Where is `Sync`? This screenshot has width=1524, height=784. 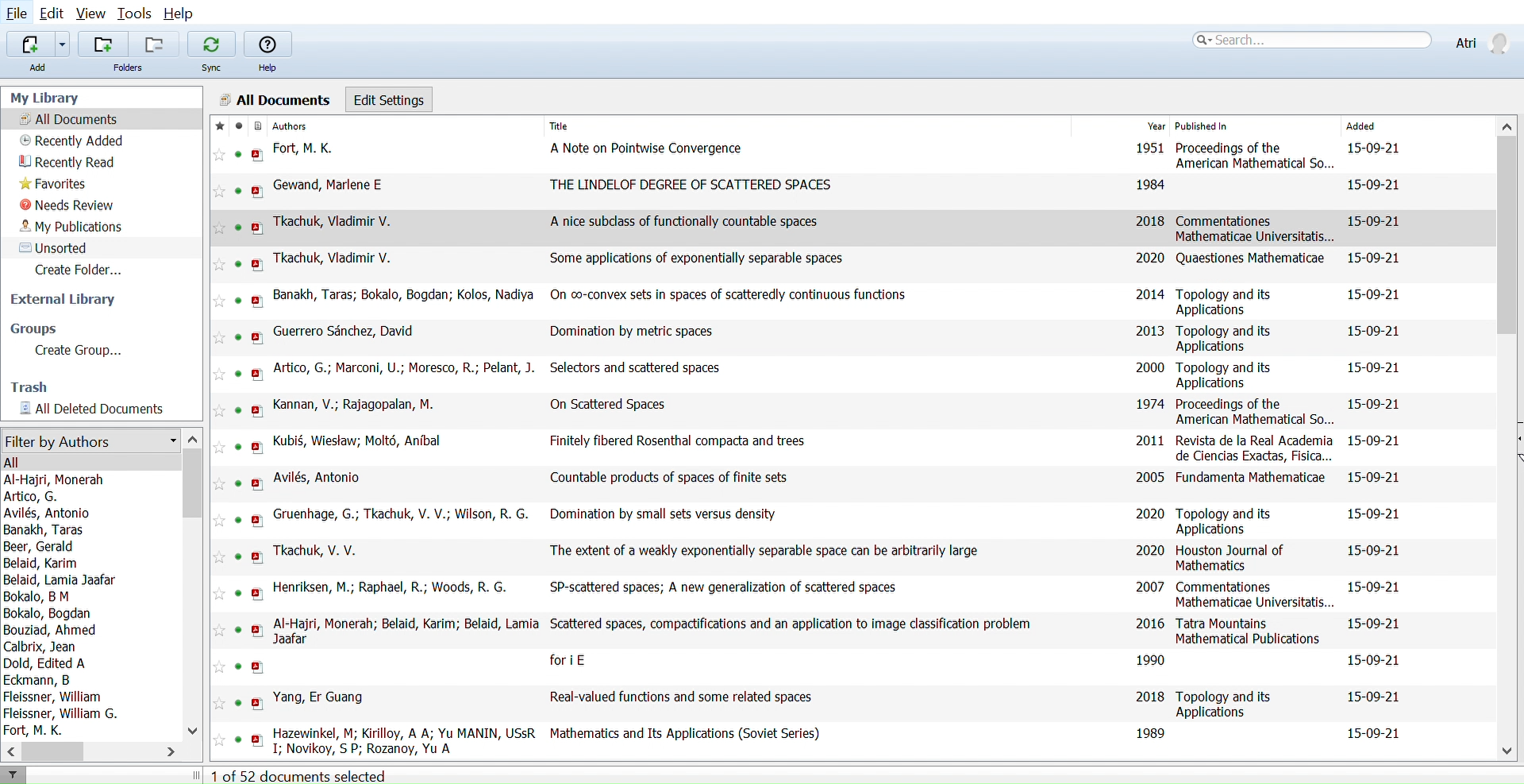 Sync is located at coordinates (211, 44).